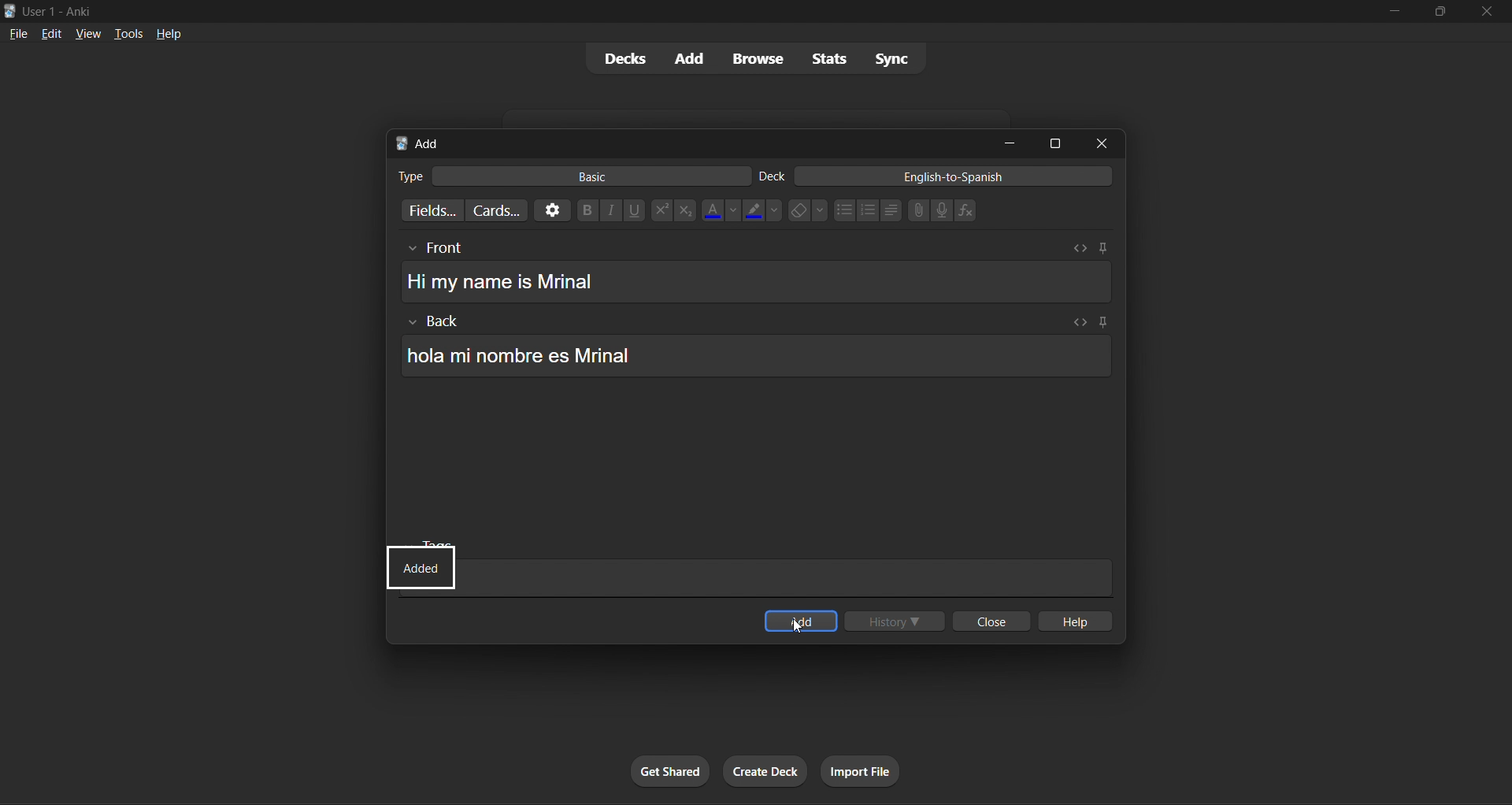  Describe the element at coordinates (1436, 12) in the screenshot. I see `maximize/restore` at that location.